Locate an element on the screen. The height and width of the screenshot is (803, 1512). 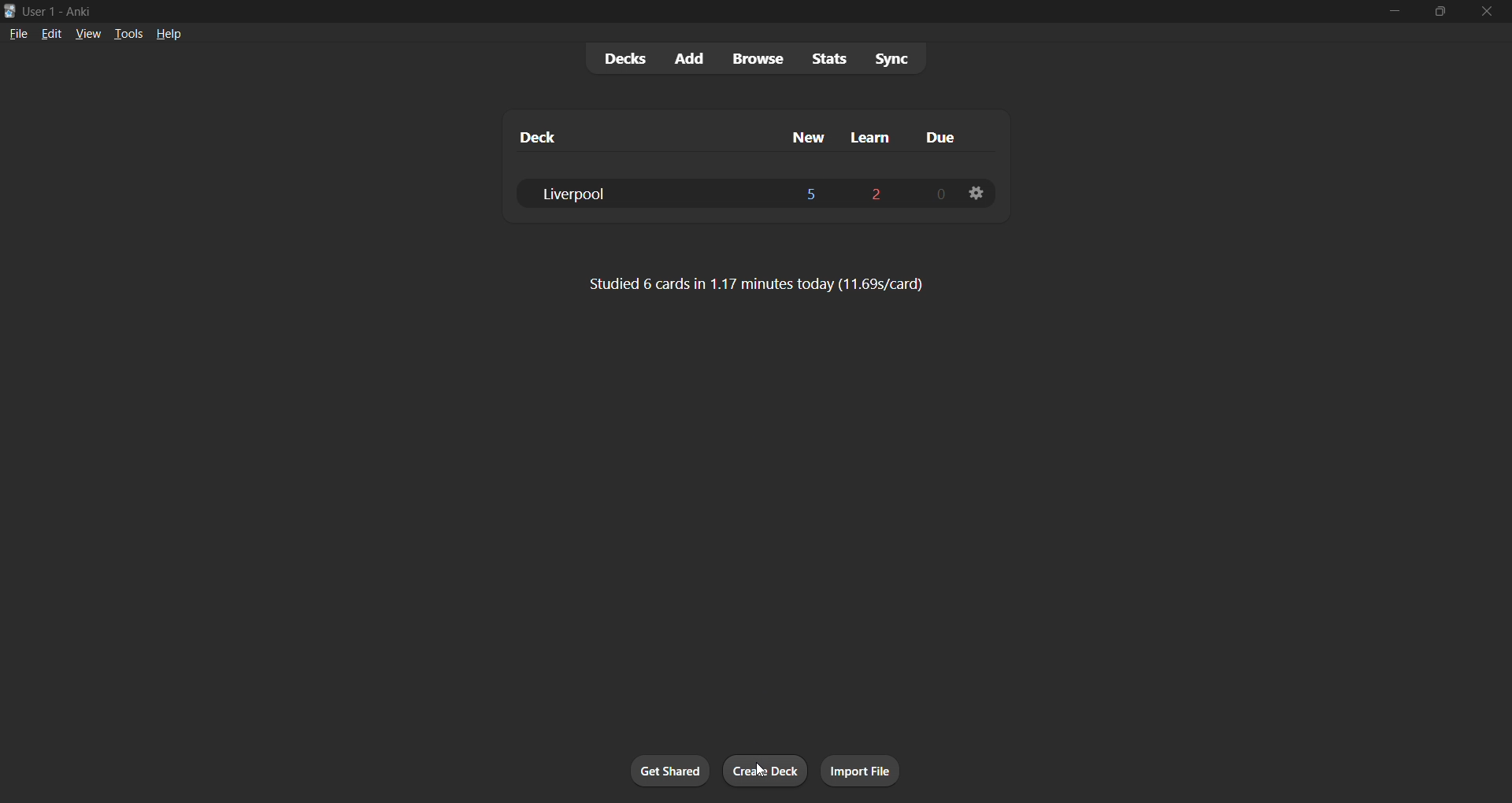
create deck is located at coordinates (765, 770).